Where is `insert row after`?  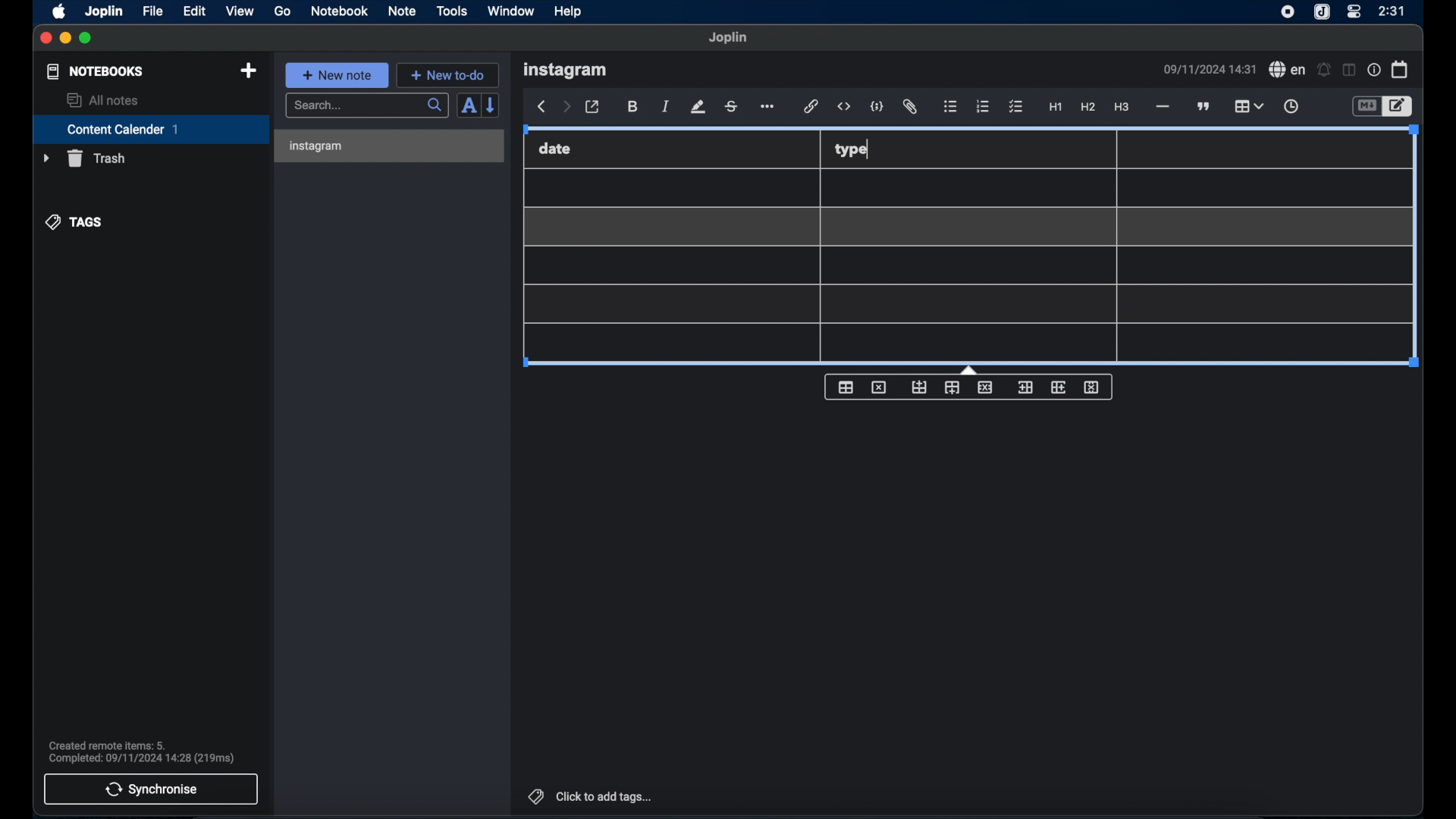
insert row after is located at coordinates (952, 388).